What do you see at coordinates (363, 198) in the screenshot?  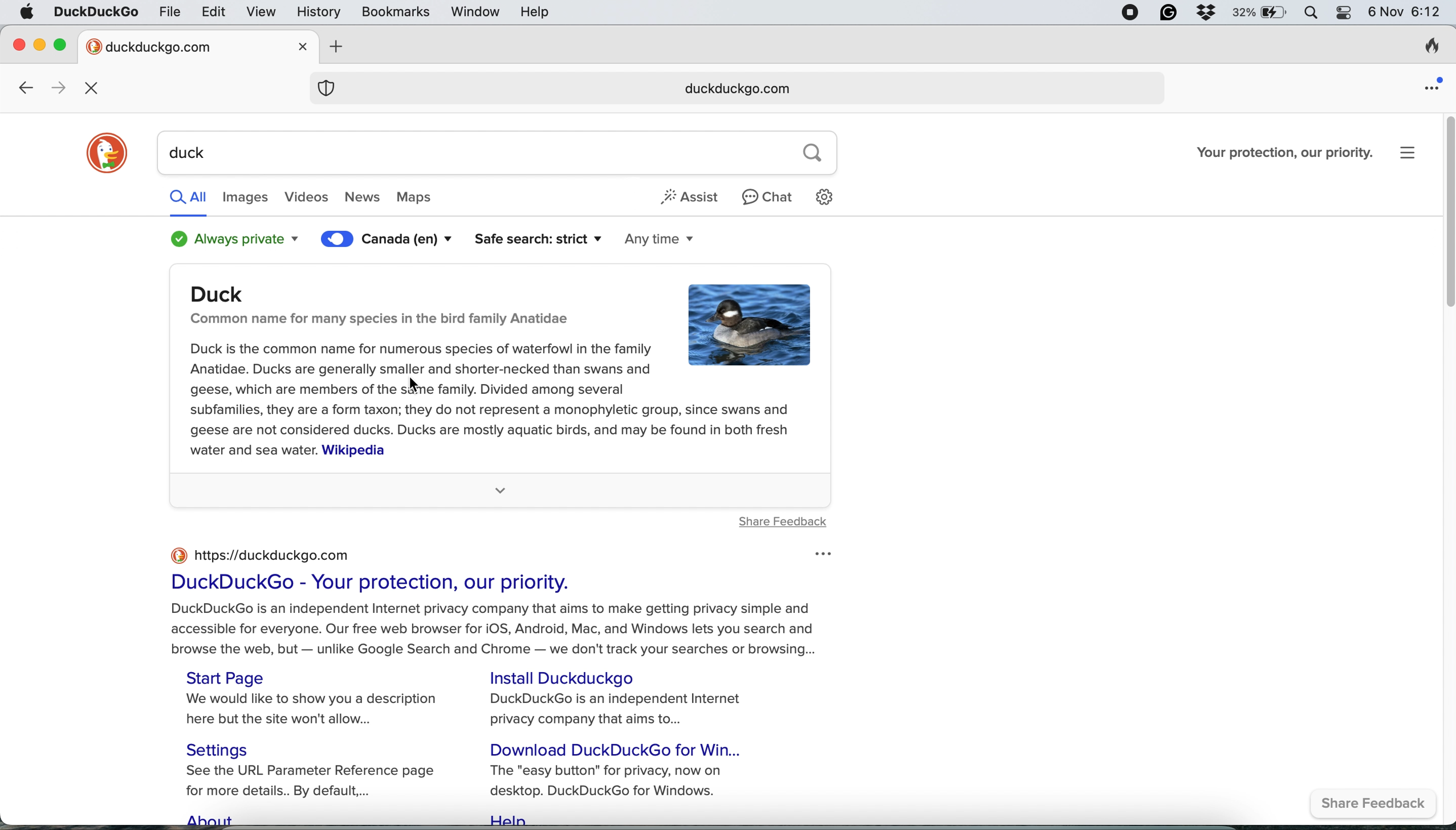 I see `news` at bounding box center [363, 198].